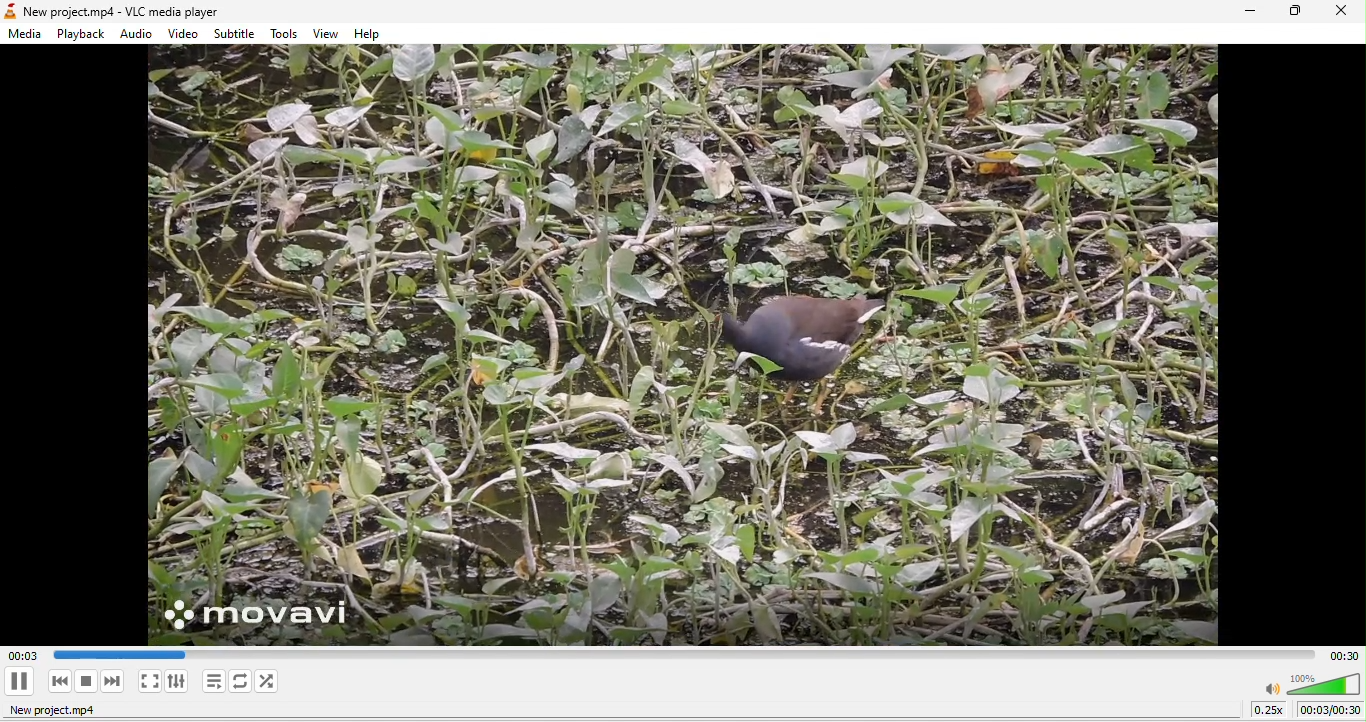 The width and height of the screenshot is (1366, 722). Describe the element at coordinates (18, 681) in the screenshot. I see `play` at that location.